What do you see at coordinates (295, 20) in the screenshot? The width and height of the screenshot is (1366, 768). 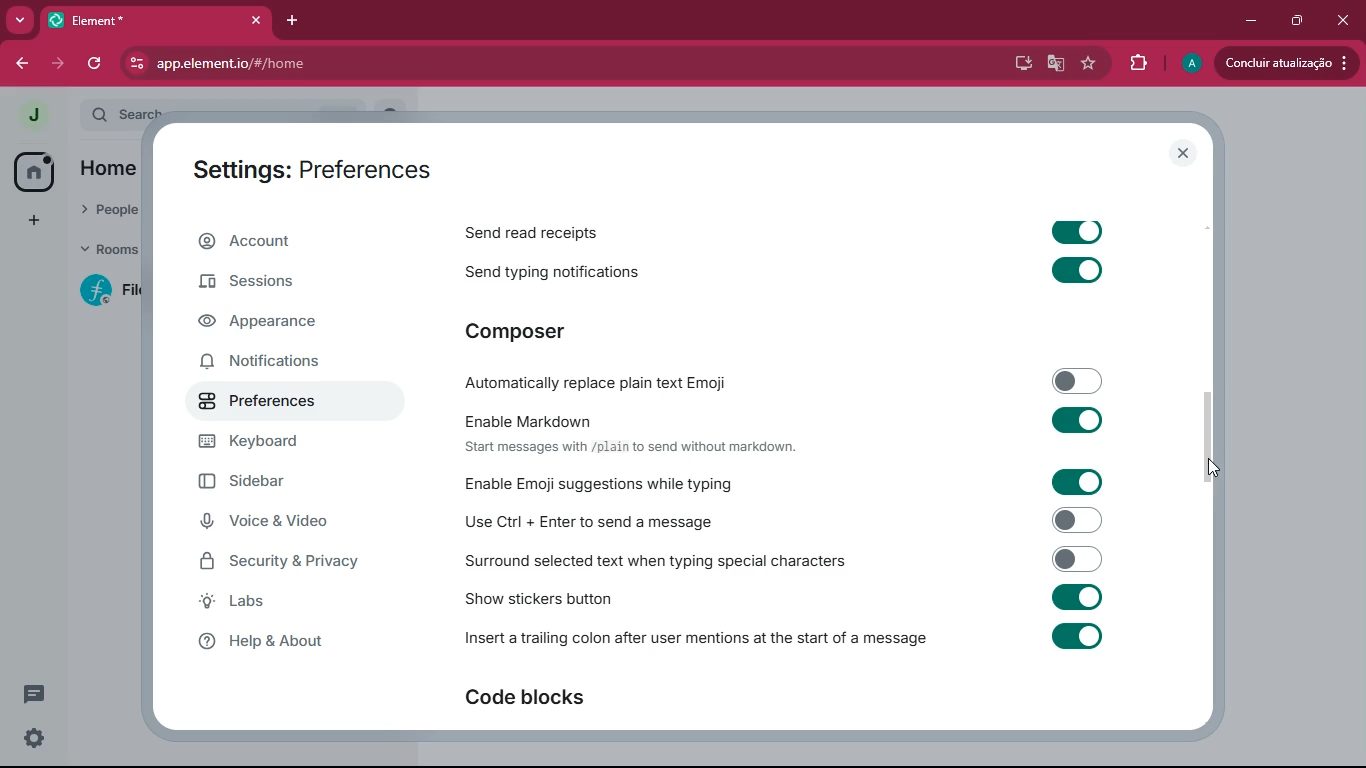 I see `add tab` at bounding box center [295, 20].